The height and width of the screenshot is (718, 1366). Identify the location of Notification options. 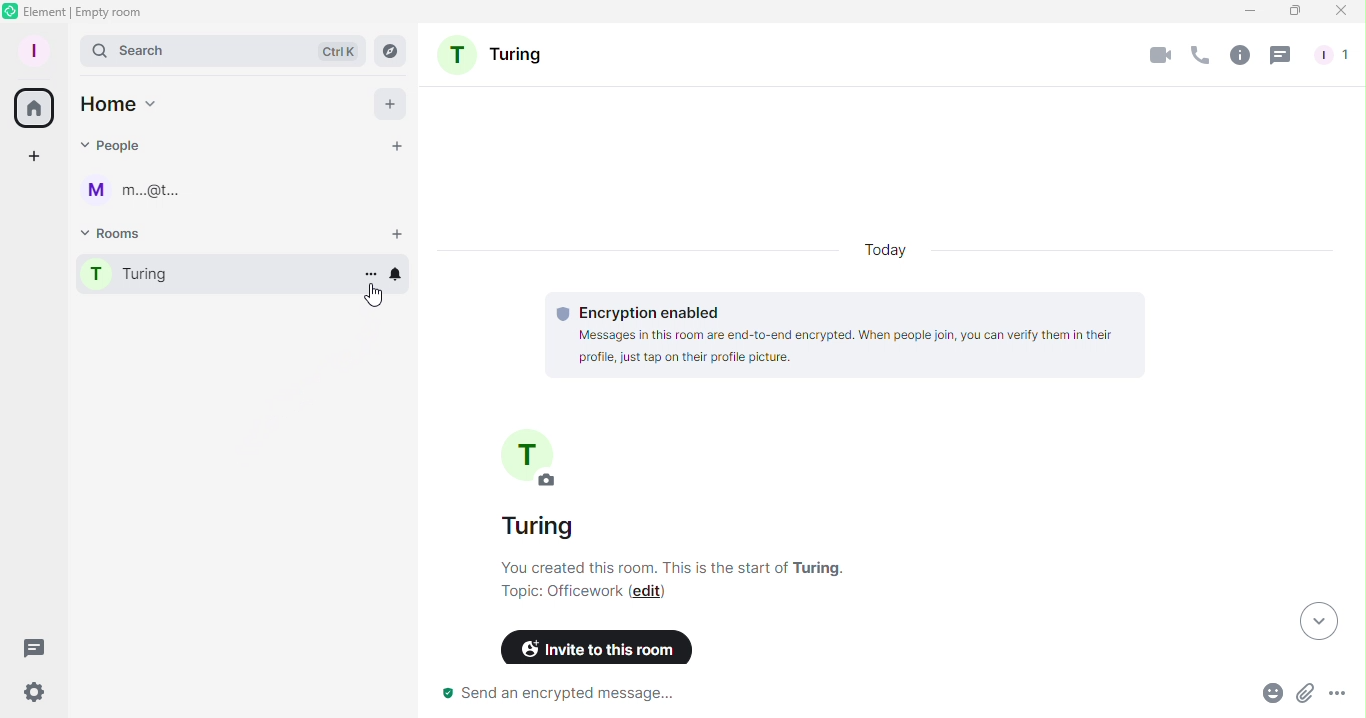
(409, 274).